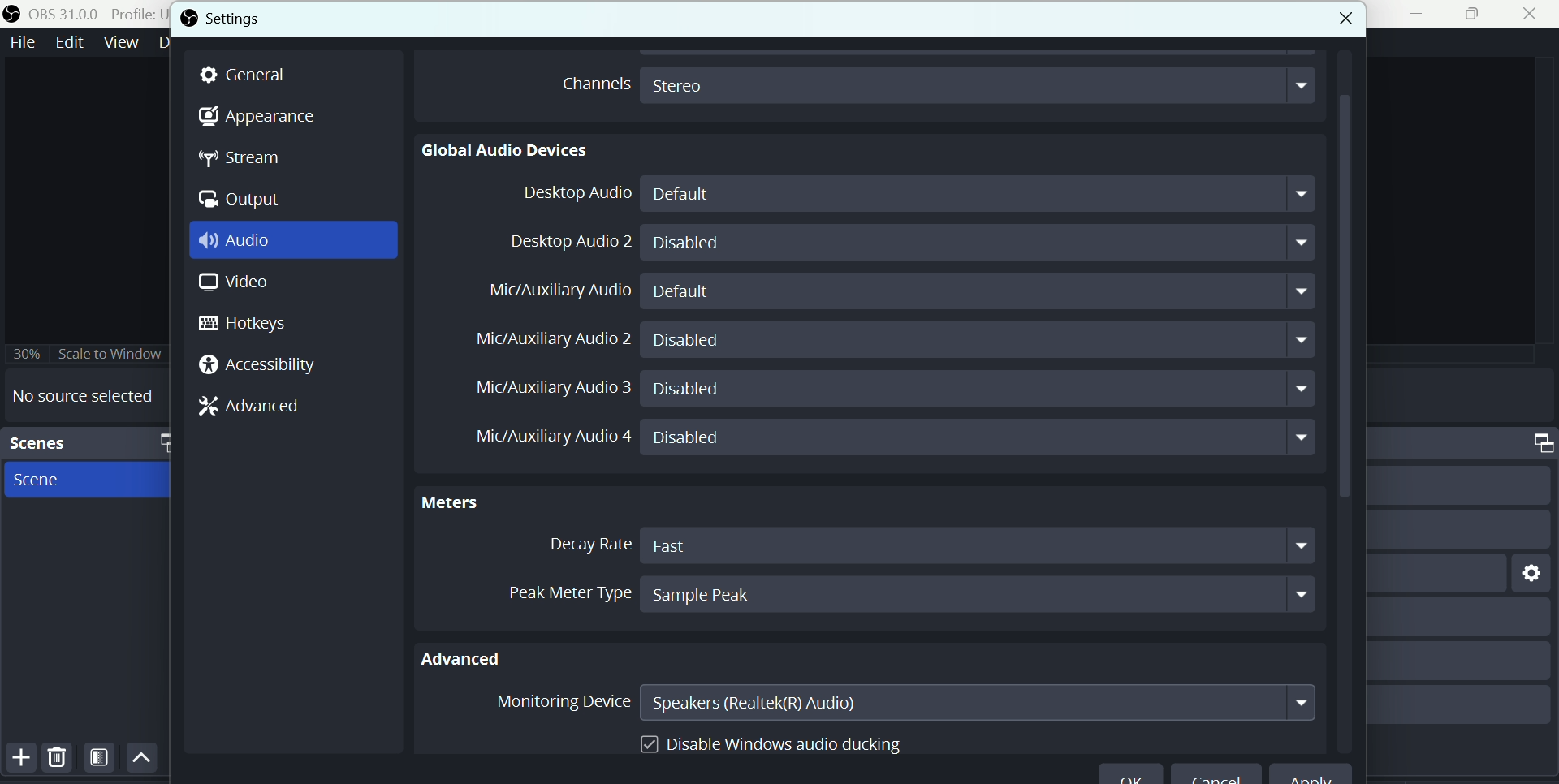 This screenshot has height=784, width=1559. What do you see at coordinates (980, 243) in the screenshot?
I see `Disabled` at bounding box center [980, 243].